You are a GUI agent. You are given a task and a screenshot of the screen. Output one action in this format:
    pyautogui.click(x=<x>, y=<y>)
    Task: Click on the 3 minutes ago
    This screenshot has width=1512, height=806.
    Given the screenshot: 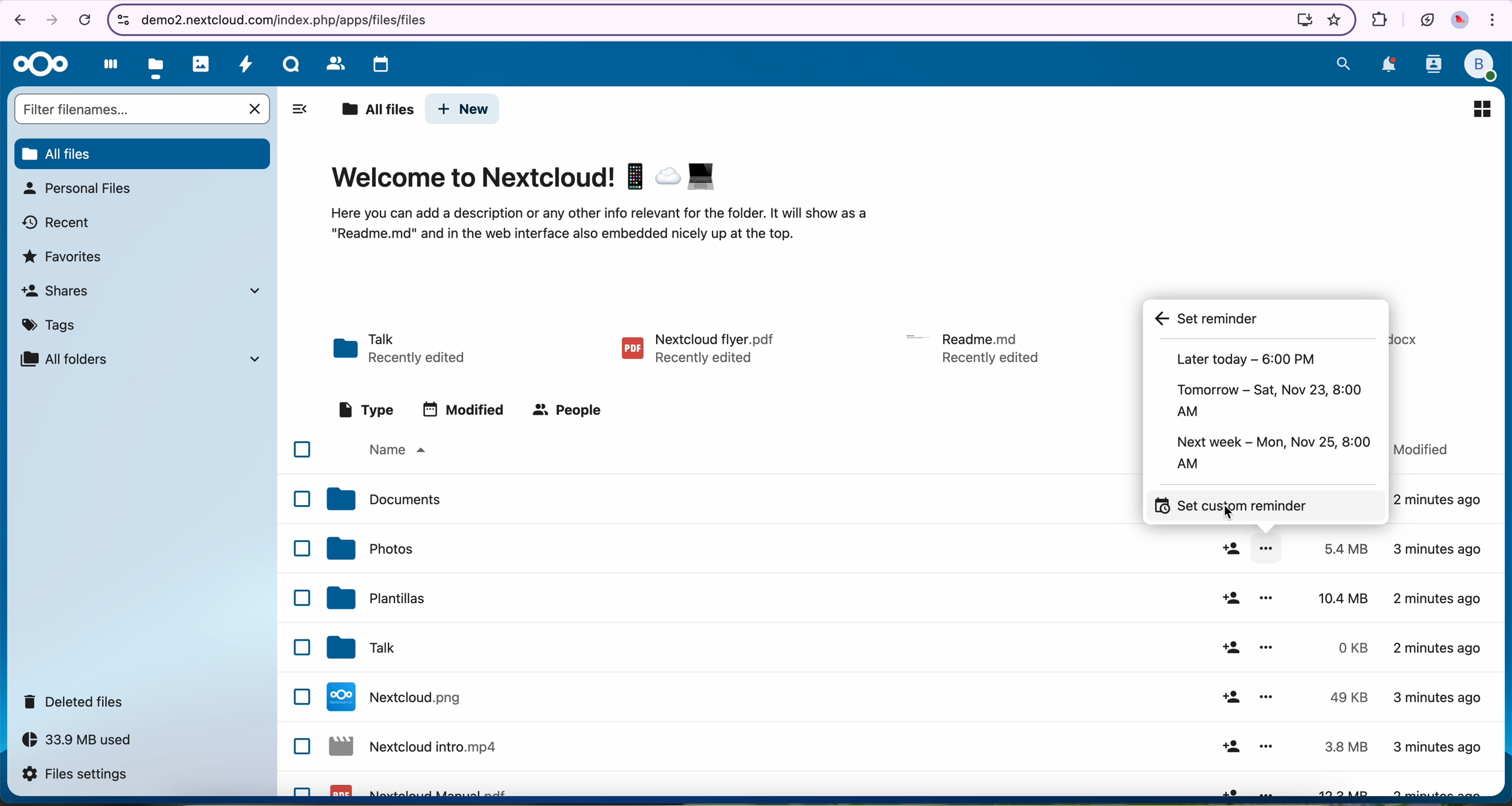 What is the action you would take?
    pyautogui.click(x=1437, y=748)
    